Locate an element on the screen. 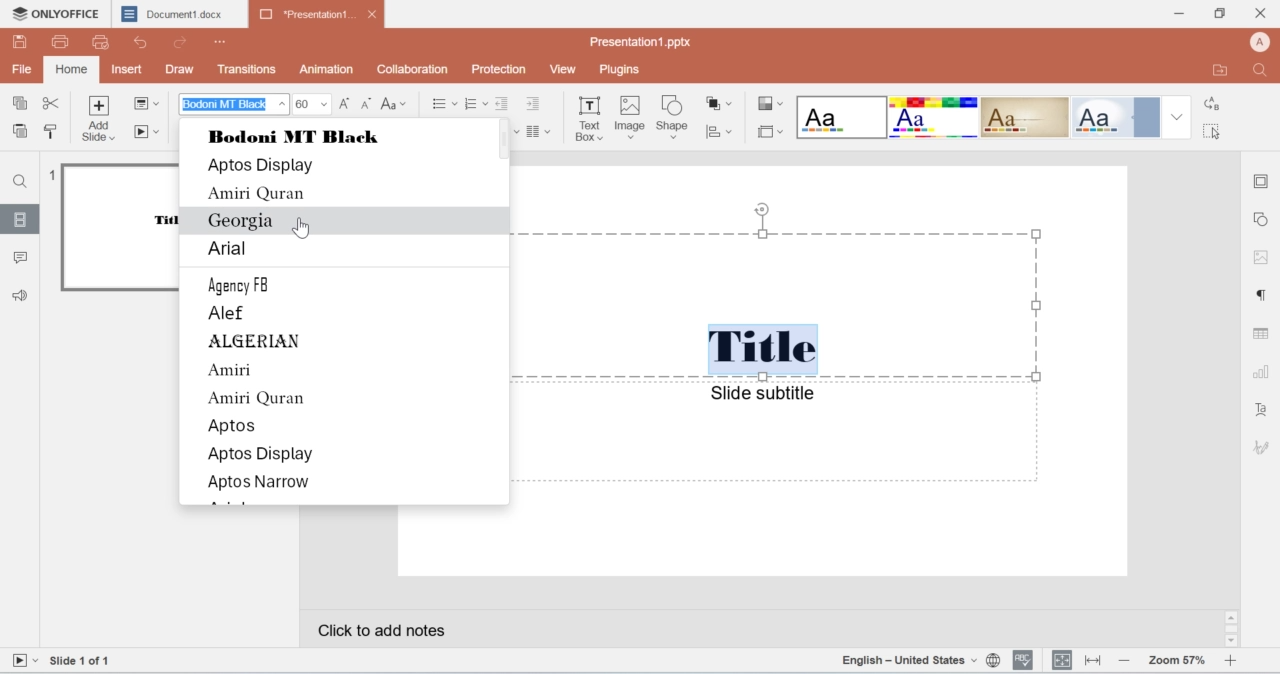 The image size is (1280, 674). decrease font size is located at coordinates (366, 104).